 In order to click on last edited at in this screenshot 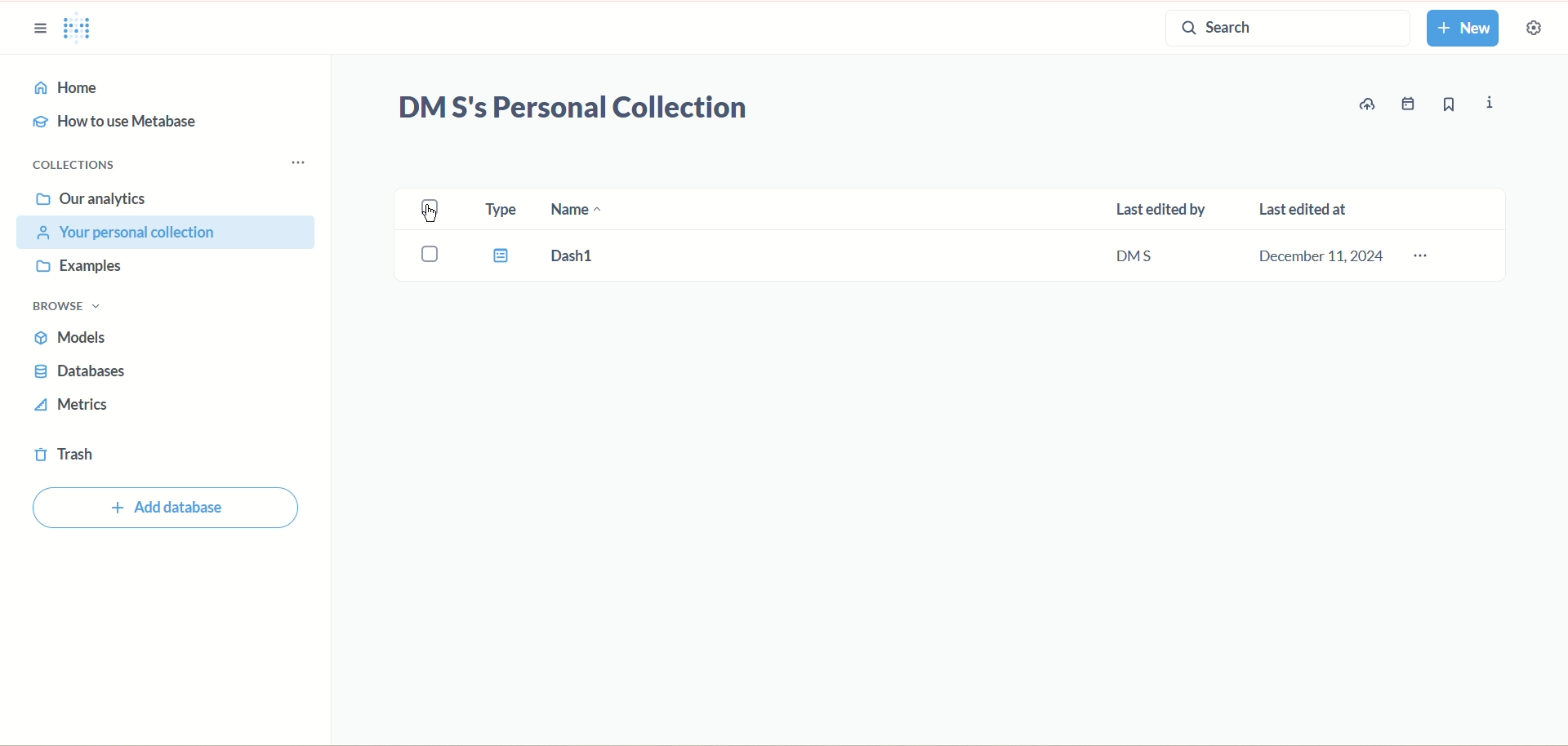, I will do `click(1301, 212)`.